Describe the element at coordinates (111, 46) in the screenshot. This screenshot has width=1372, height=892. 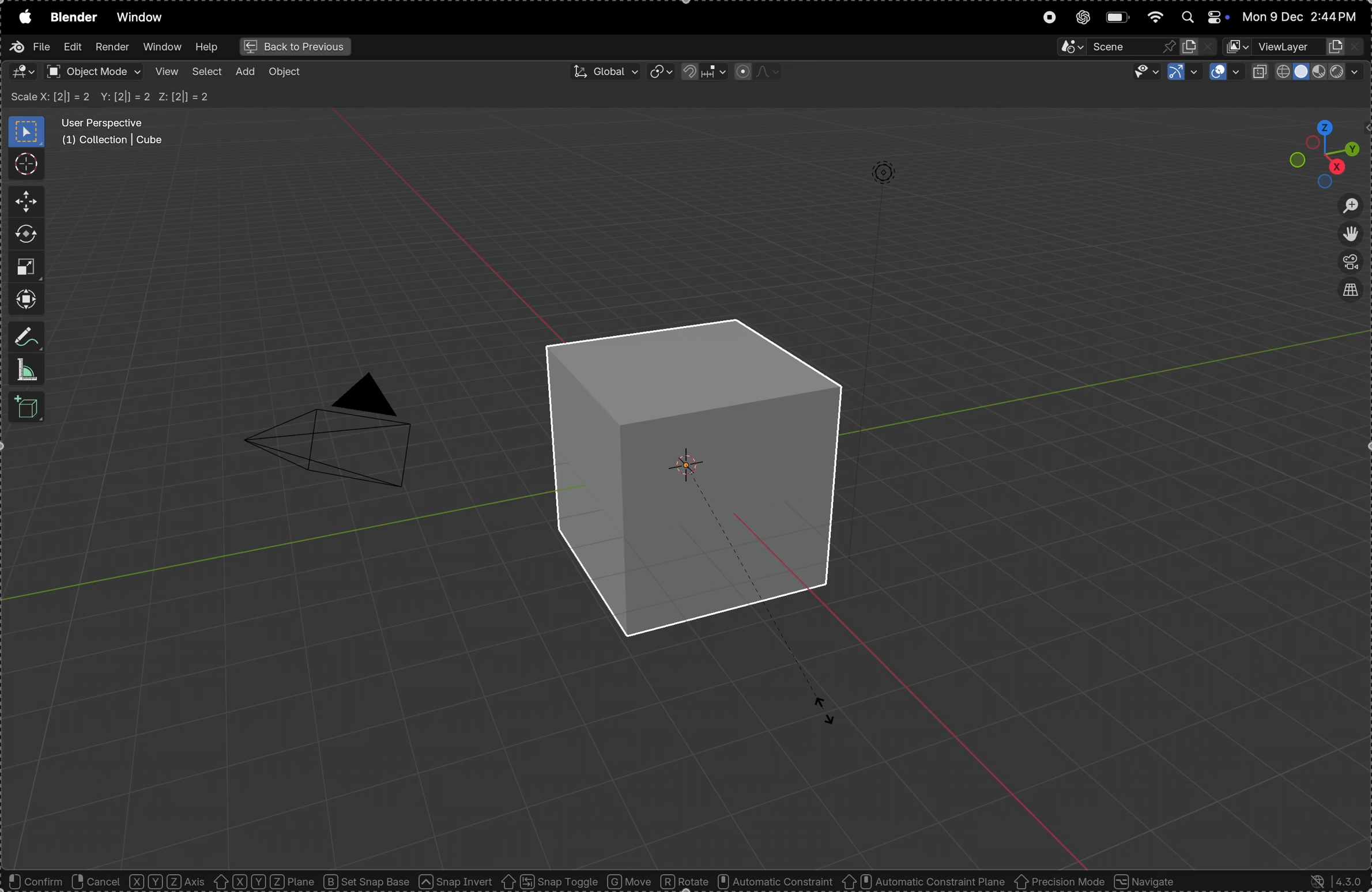
I see `render` at that location.